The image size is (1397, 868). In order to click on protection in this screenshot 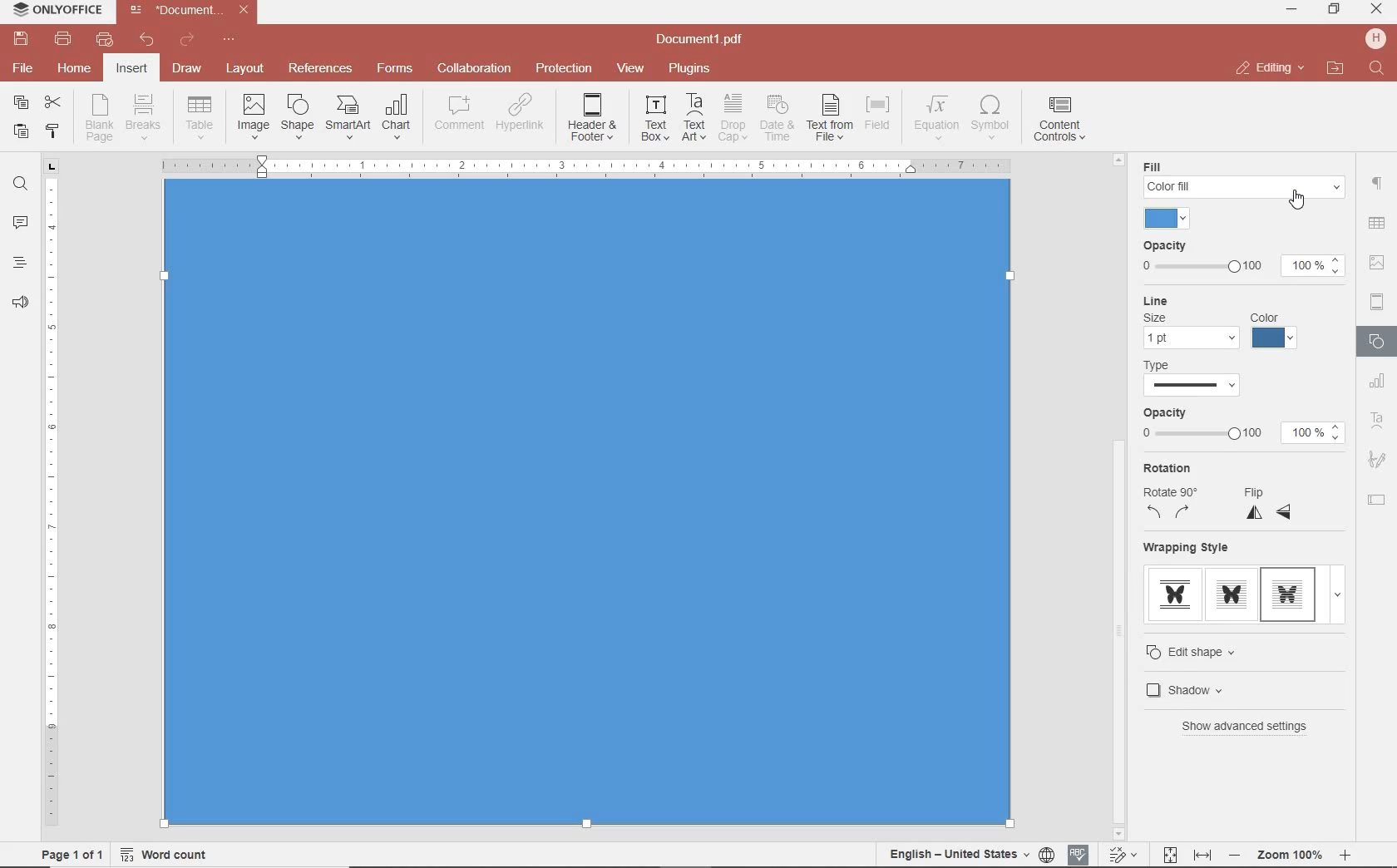, I will do `click(565, 69)`.